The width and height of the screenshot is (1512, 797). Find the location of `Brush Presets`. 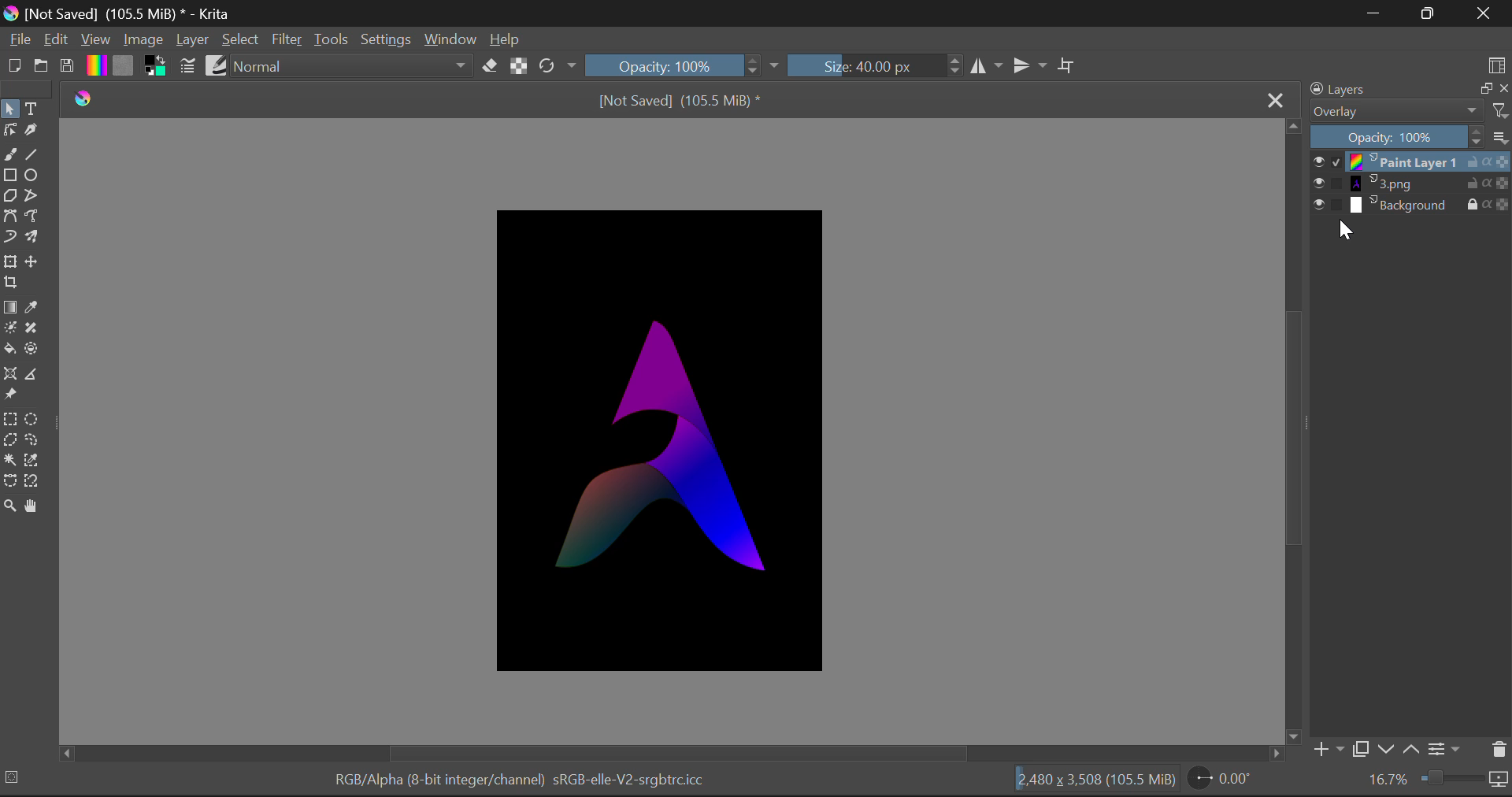

Brush Presets is located at coordinates (217, 67).